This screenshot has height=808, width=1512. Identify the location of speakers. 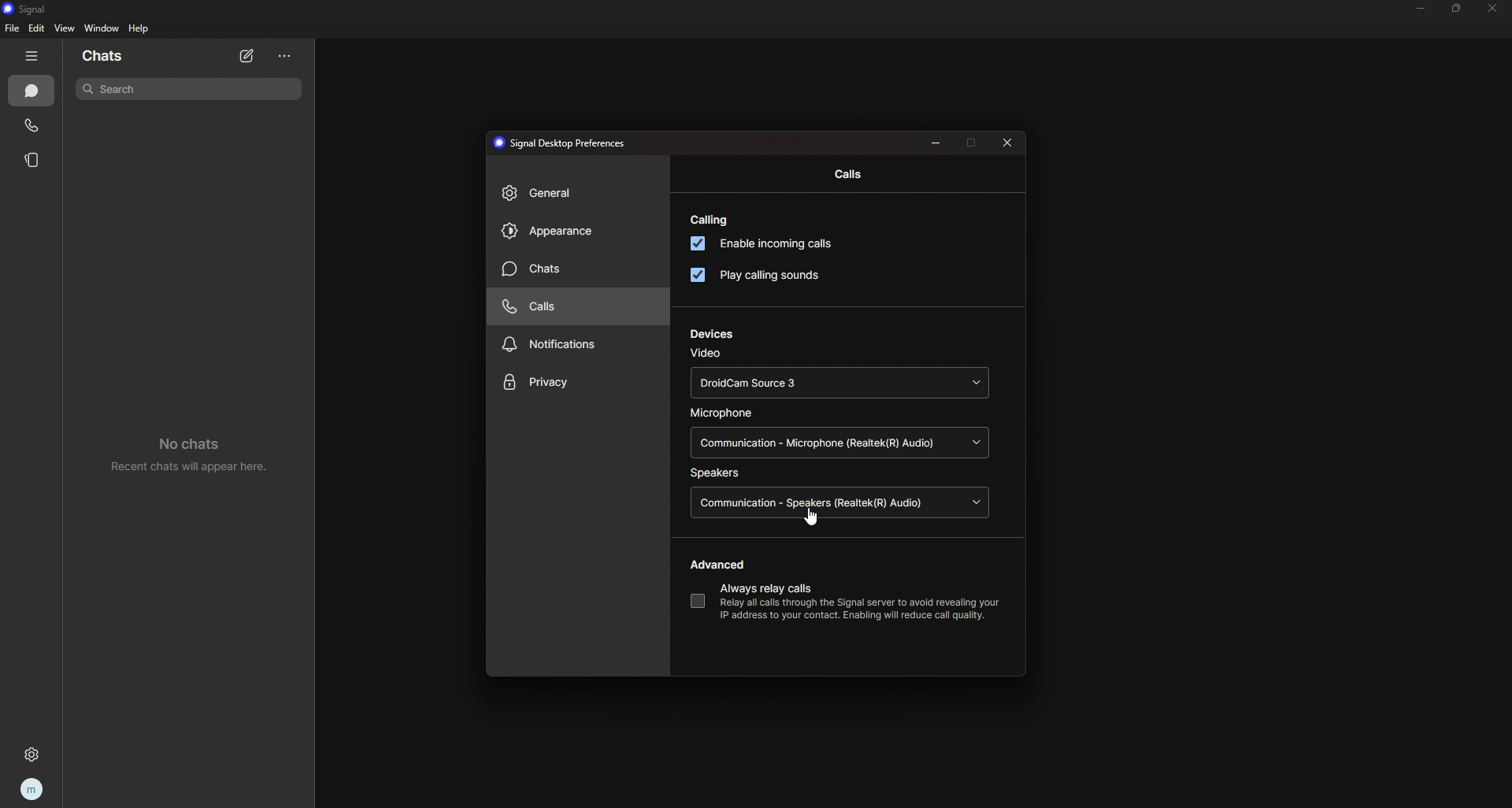
(715, 475).